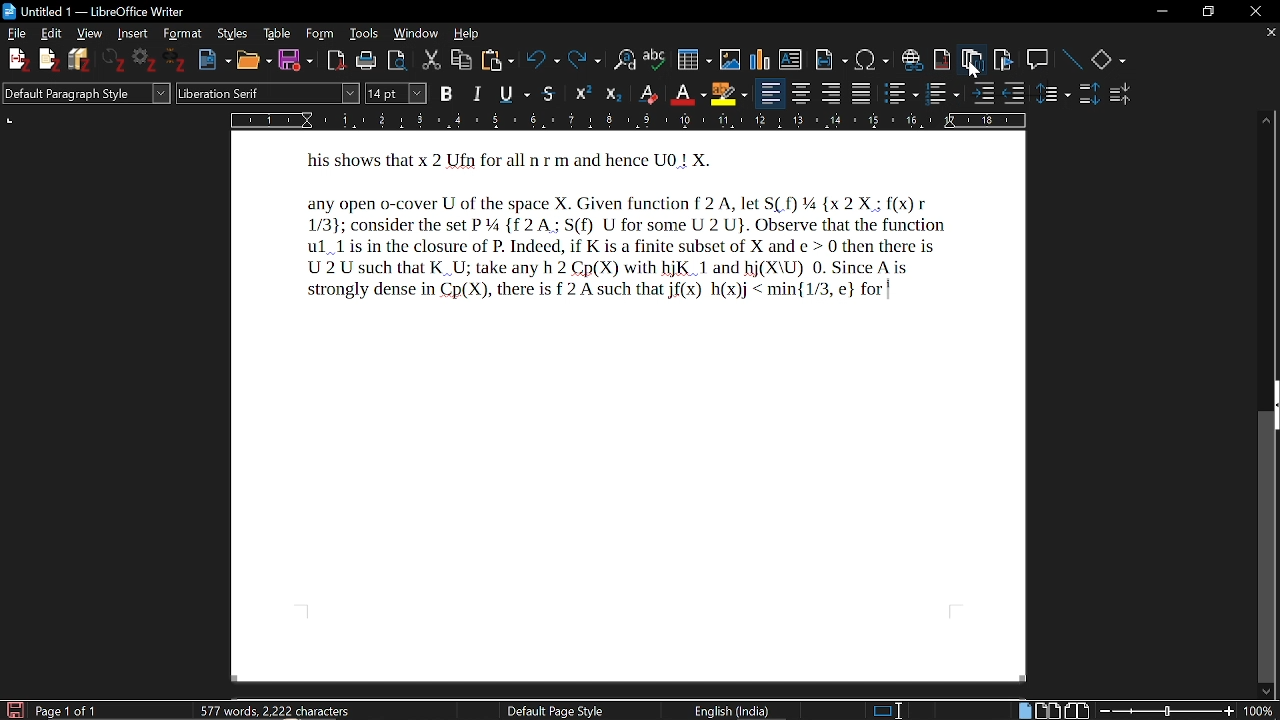 The height and width of the screenshot is (720, 1280). What do you see at coordinates (365, 32) in the screenshot?
I see `Tools` at bounding box center [365, 32].